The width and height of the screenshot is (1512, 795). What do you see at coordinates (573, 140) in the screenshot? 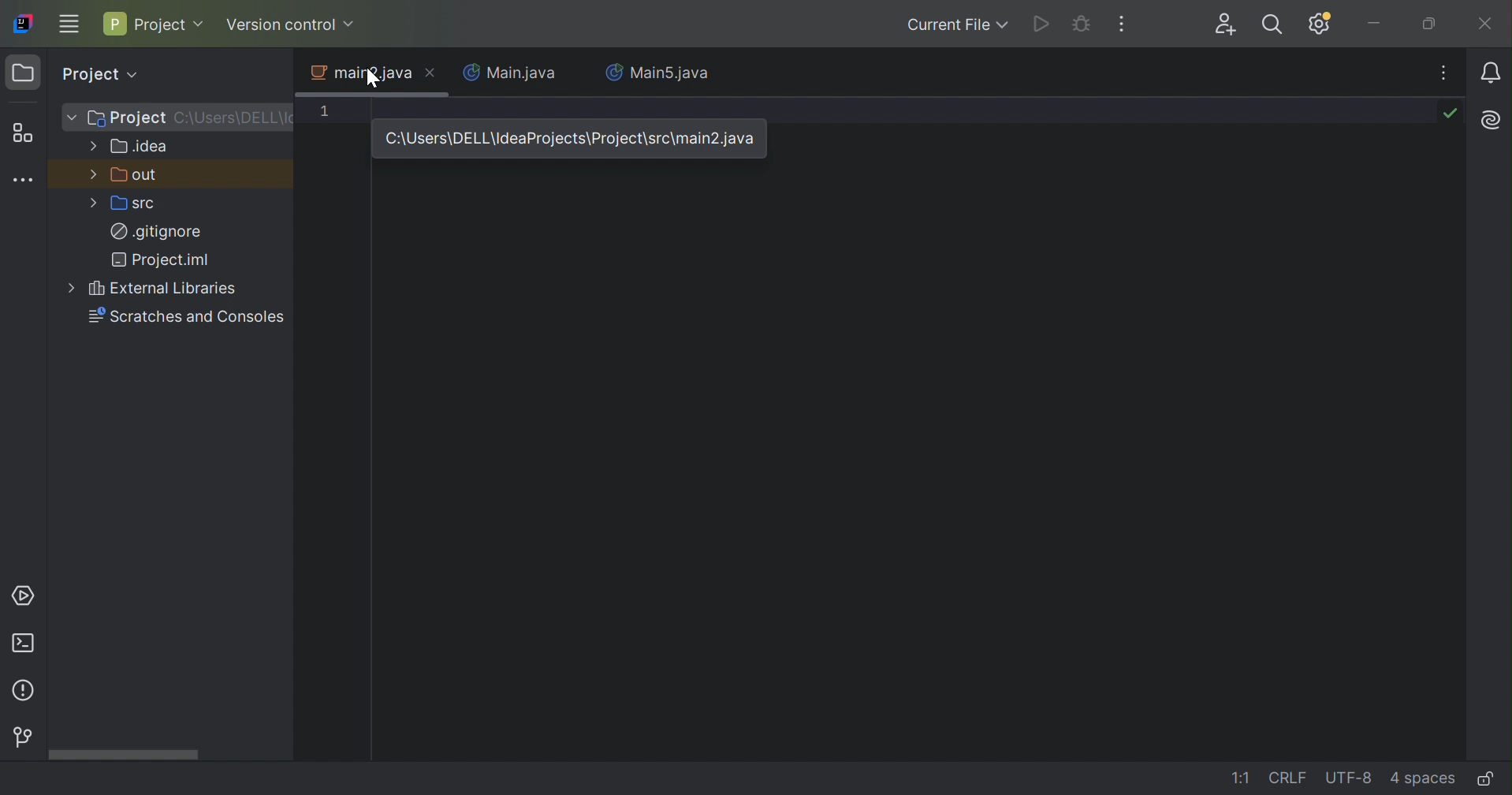
I see `C:\Users\DELL\IdeaProjects\Project\src\main2.java` at bounding box center [573, 140].